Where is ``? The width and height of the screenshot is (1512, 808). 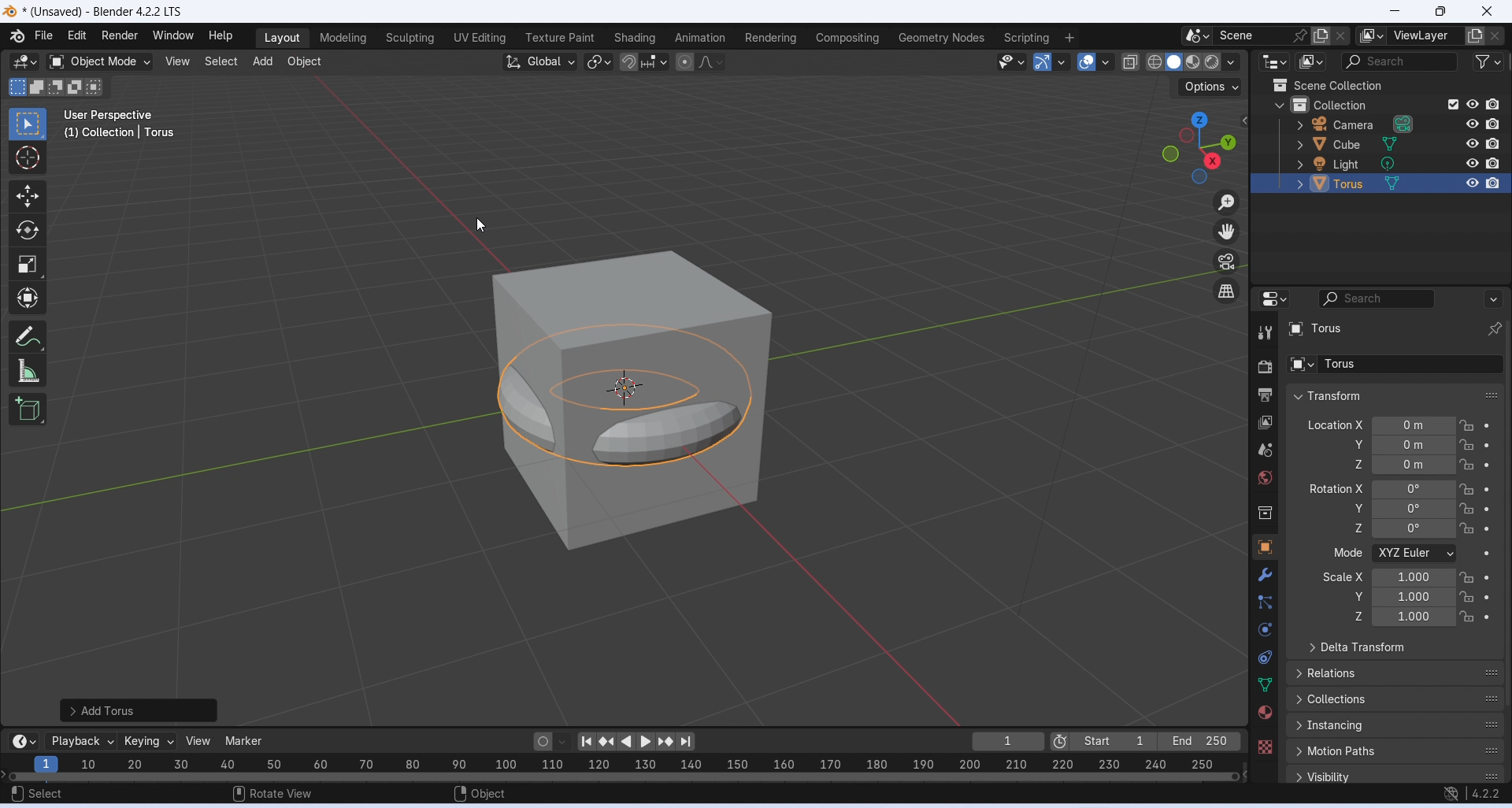  is located at coordinates (1266, 514).